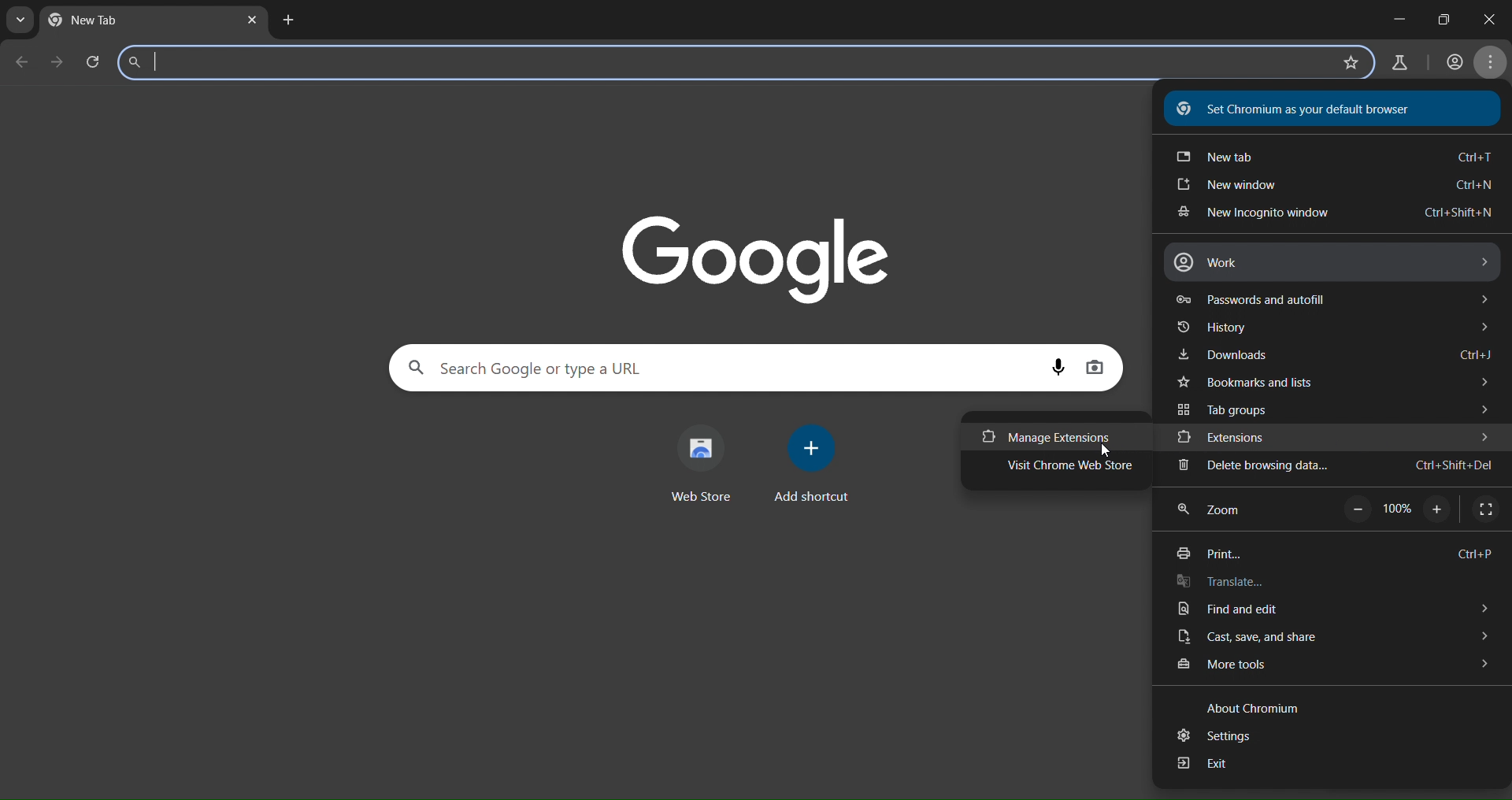 This screenshot has height=800, width=1512. Describe the element at coordinates (1395, 63) in the screenshot. I see `search labs` at that location.